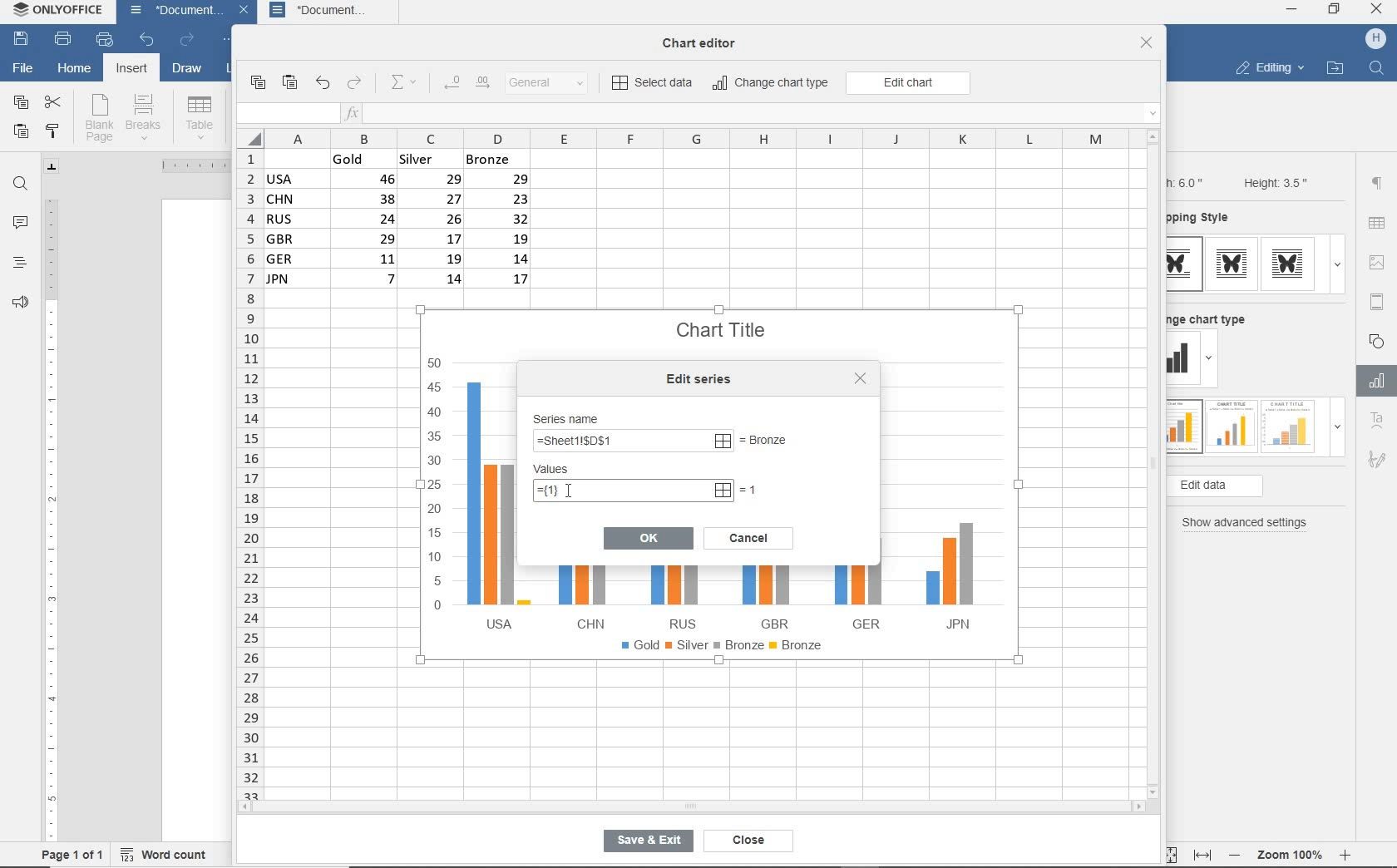 The height and width of the screenshot is (868, 1397). I want to click on =1, so click(751, 489).